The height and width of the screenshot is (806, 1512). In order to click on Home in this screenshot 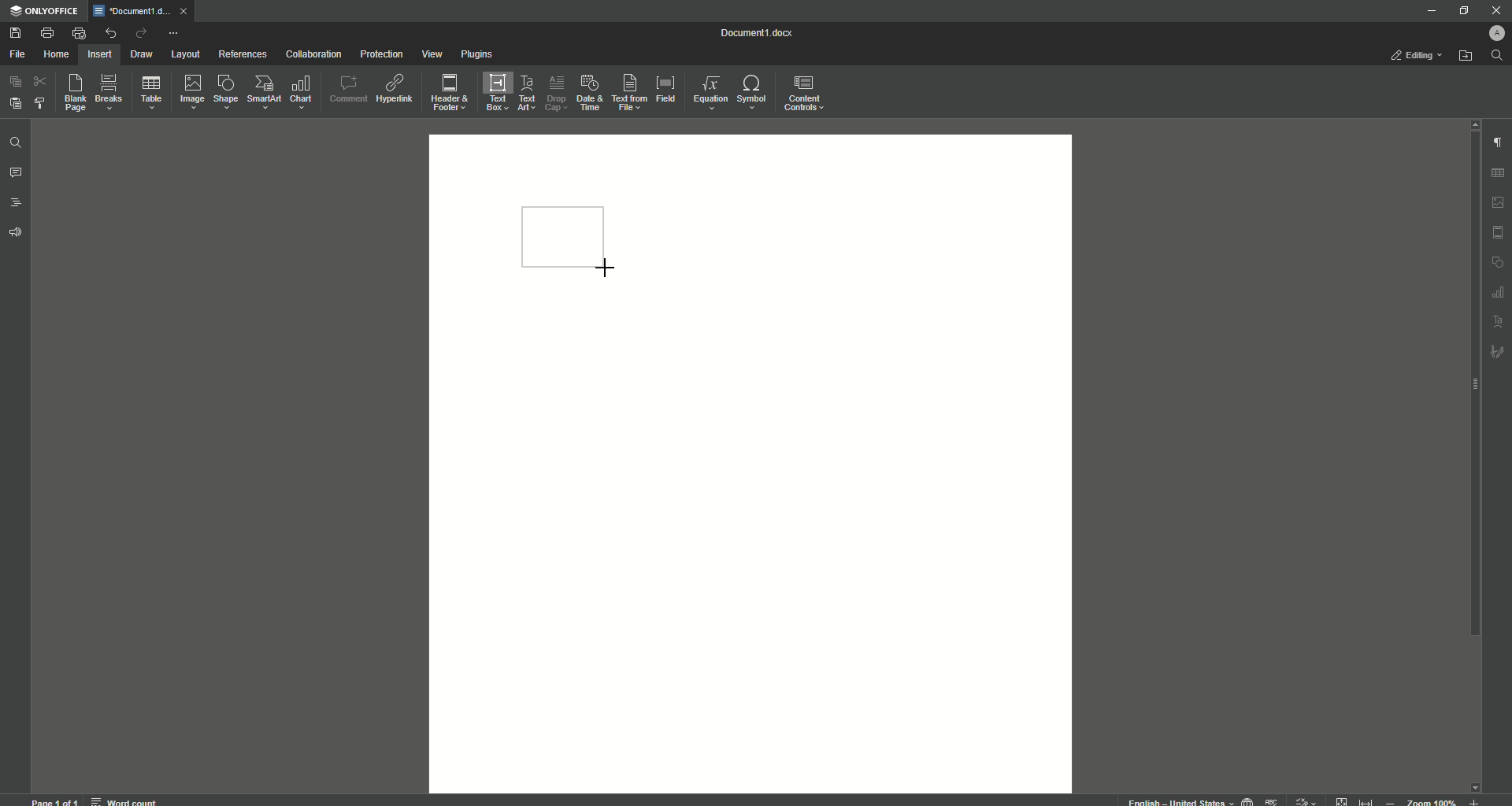, I will do `click(56, 55)`.